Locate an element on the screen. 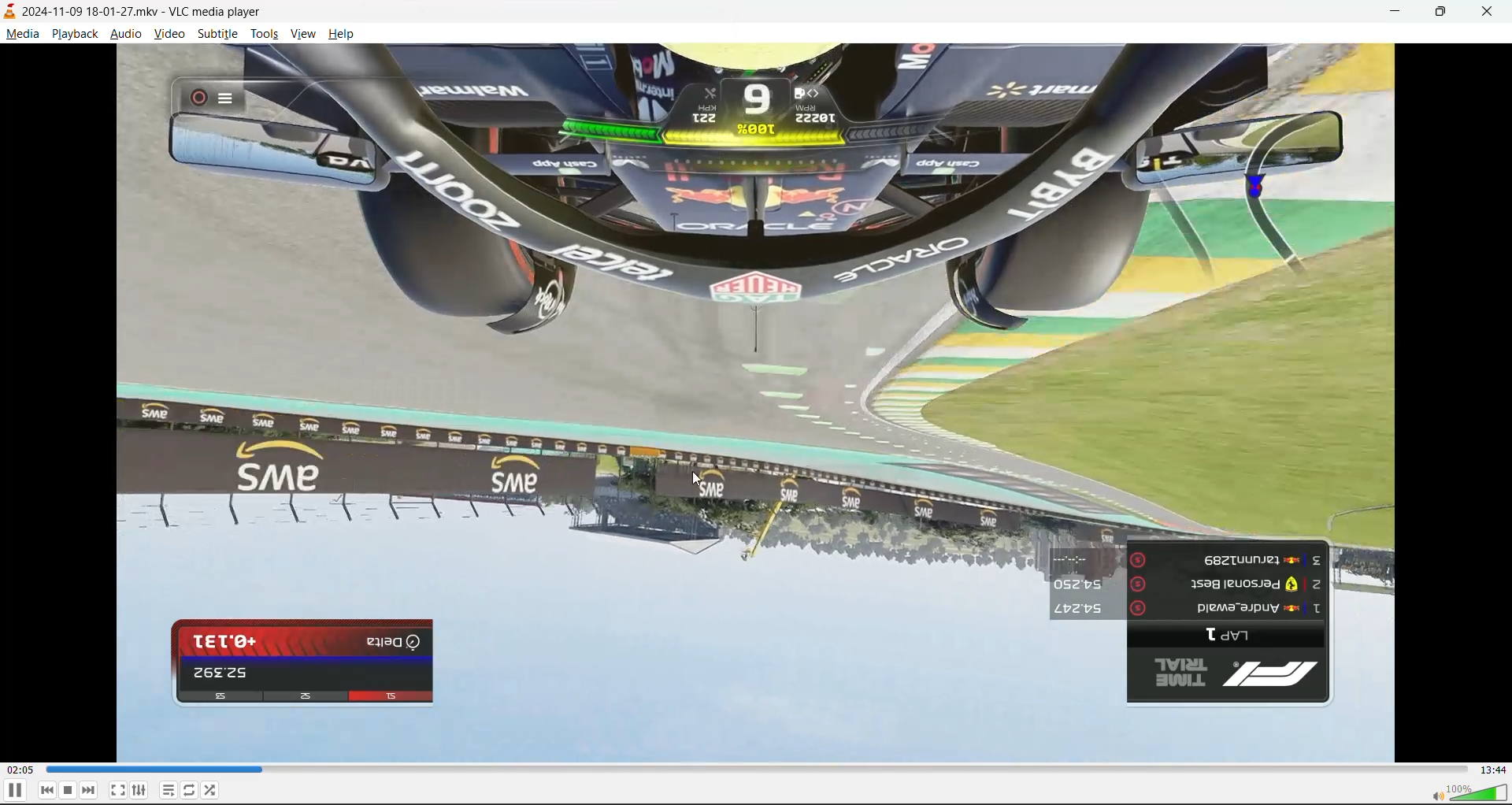 The image size is (1512, 805). media is located at coordinates (24, 35).